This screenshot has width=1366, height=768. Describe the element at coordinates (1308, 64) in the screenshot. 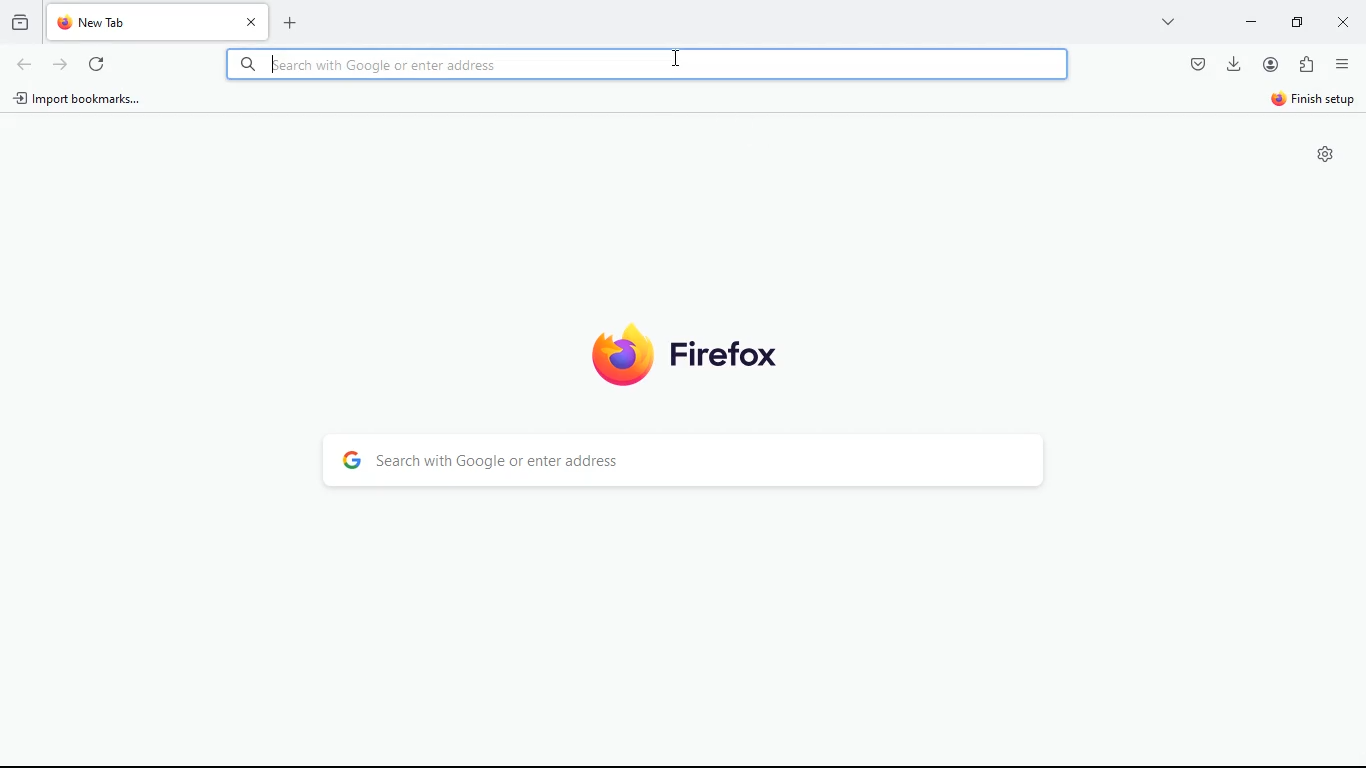

I see `extention` at that location.